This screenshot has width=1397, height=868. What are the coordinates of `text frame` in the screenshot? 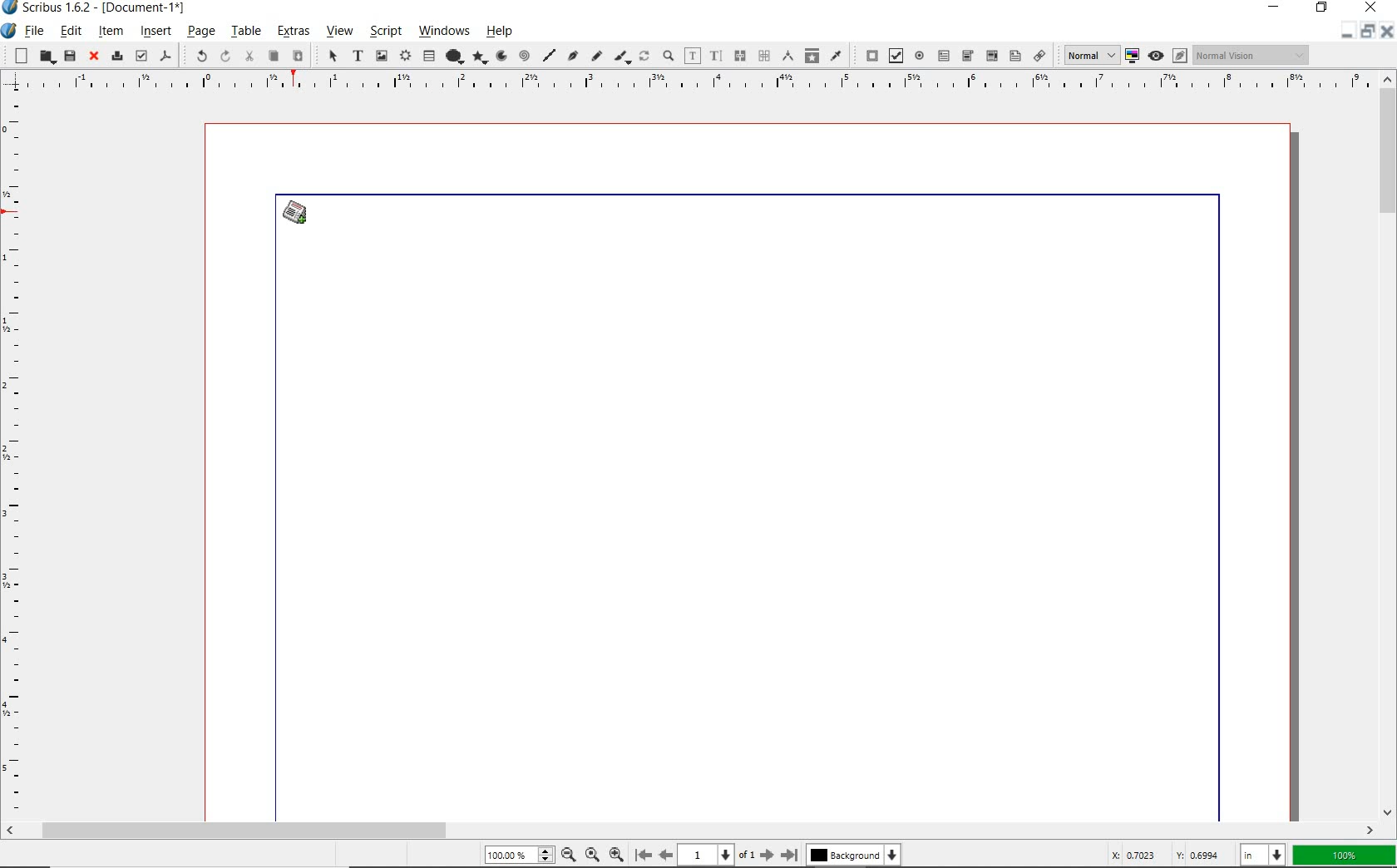 It's located at (358, 55).